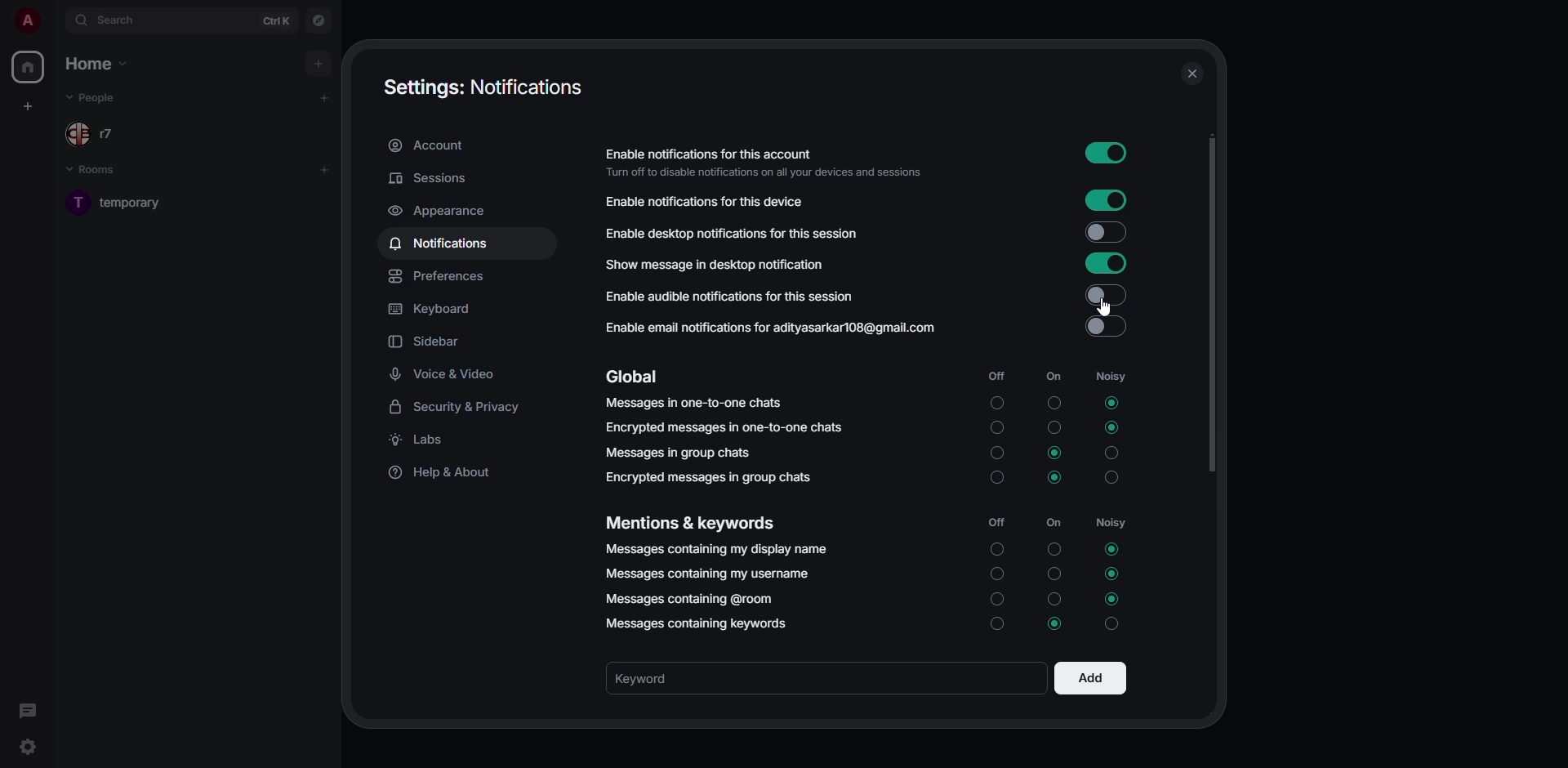 The image size is (1568, 768). What do you see at coordinates (773, 327) in the screenshot?
I see `enable email notifications` at bounding box center [773, 327].